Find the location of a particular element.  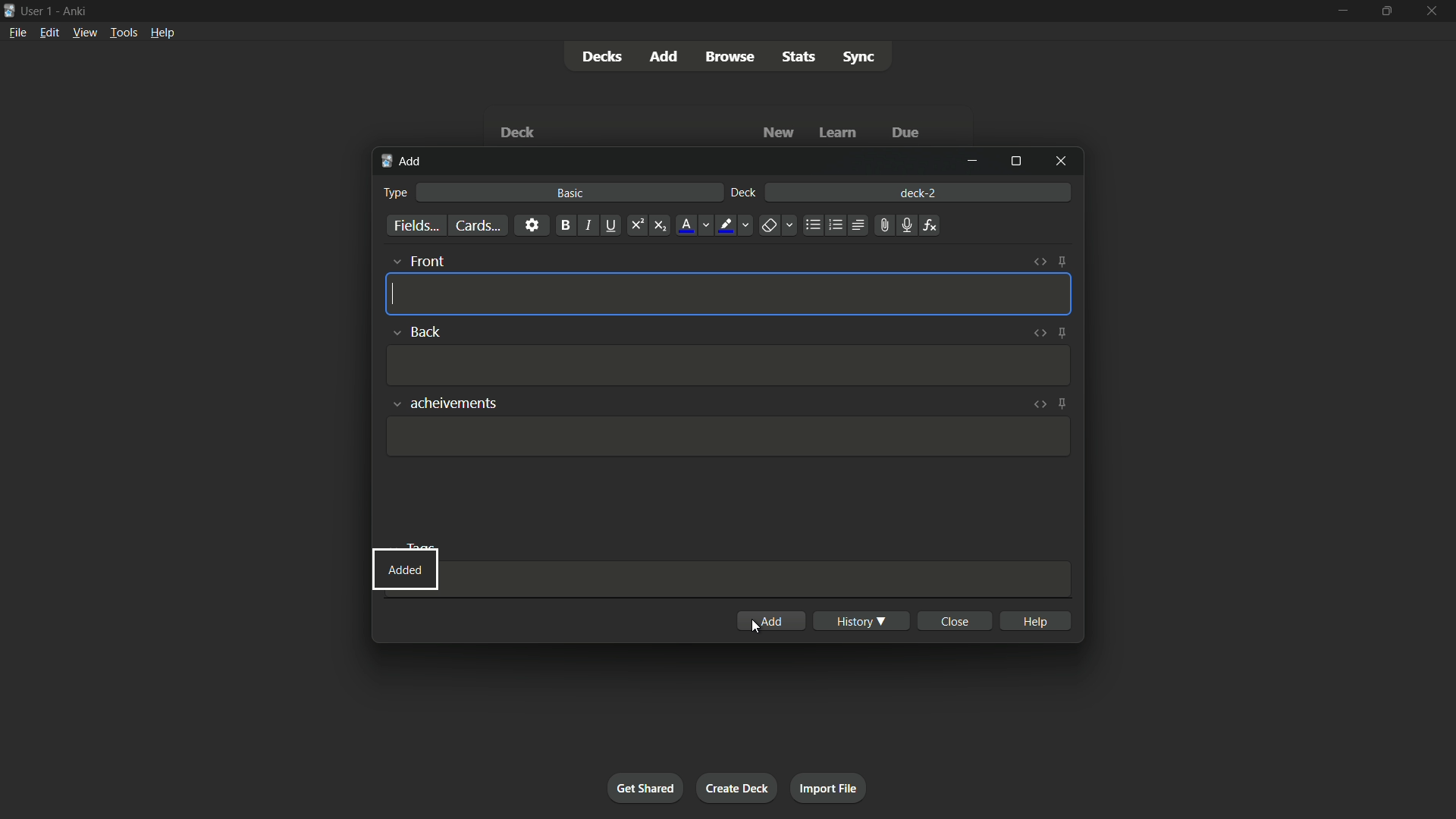

close window is located at coordinates (1059, 162).